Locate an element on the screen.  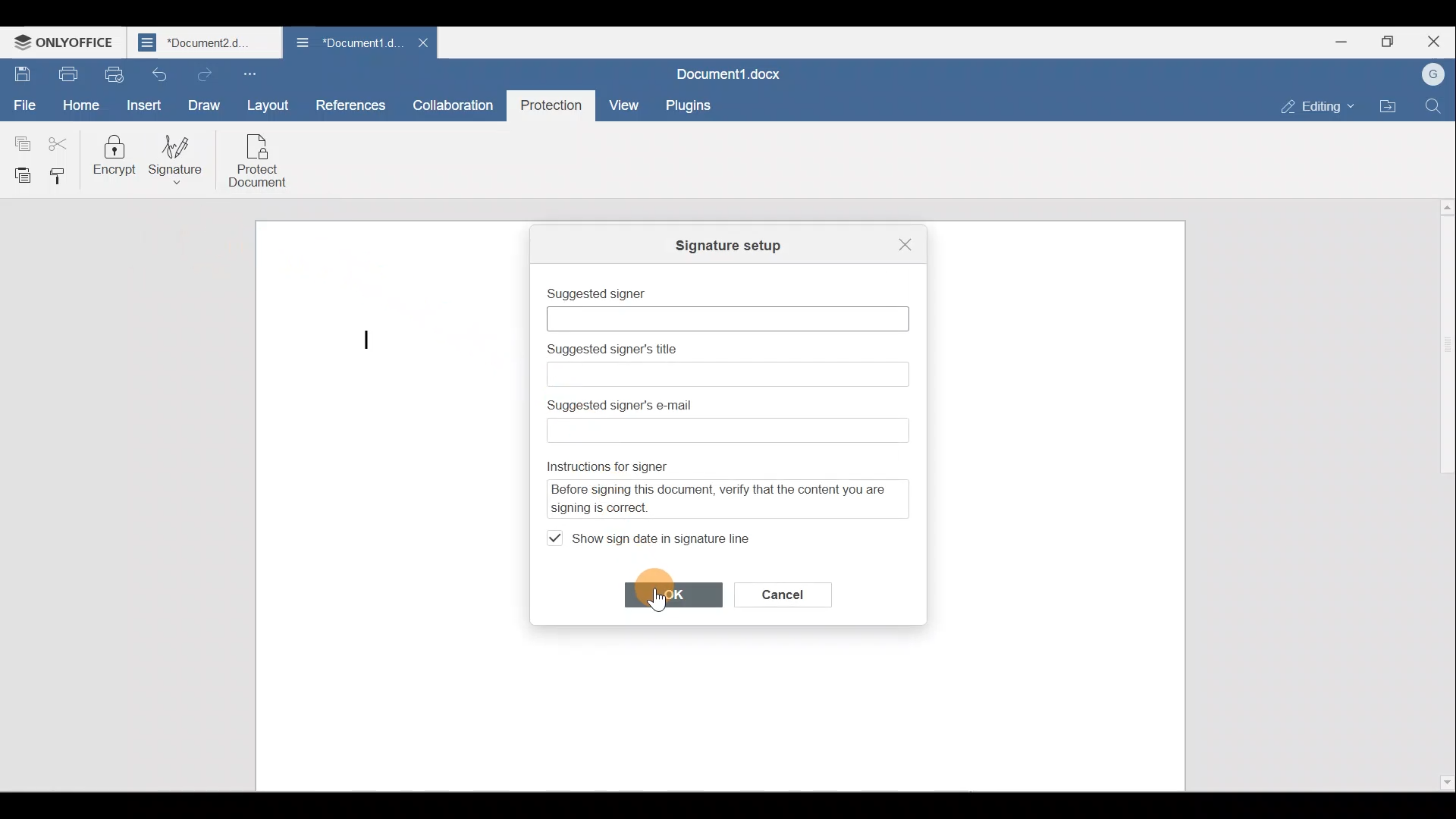
References is located at coordinates (350, 105).